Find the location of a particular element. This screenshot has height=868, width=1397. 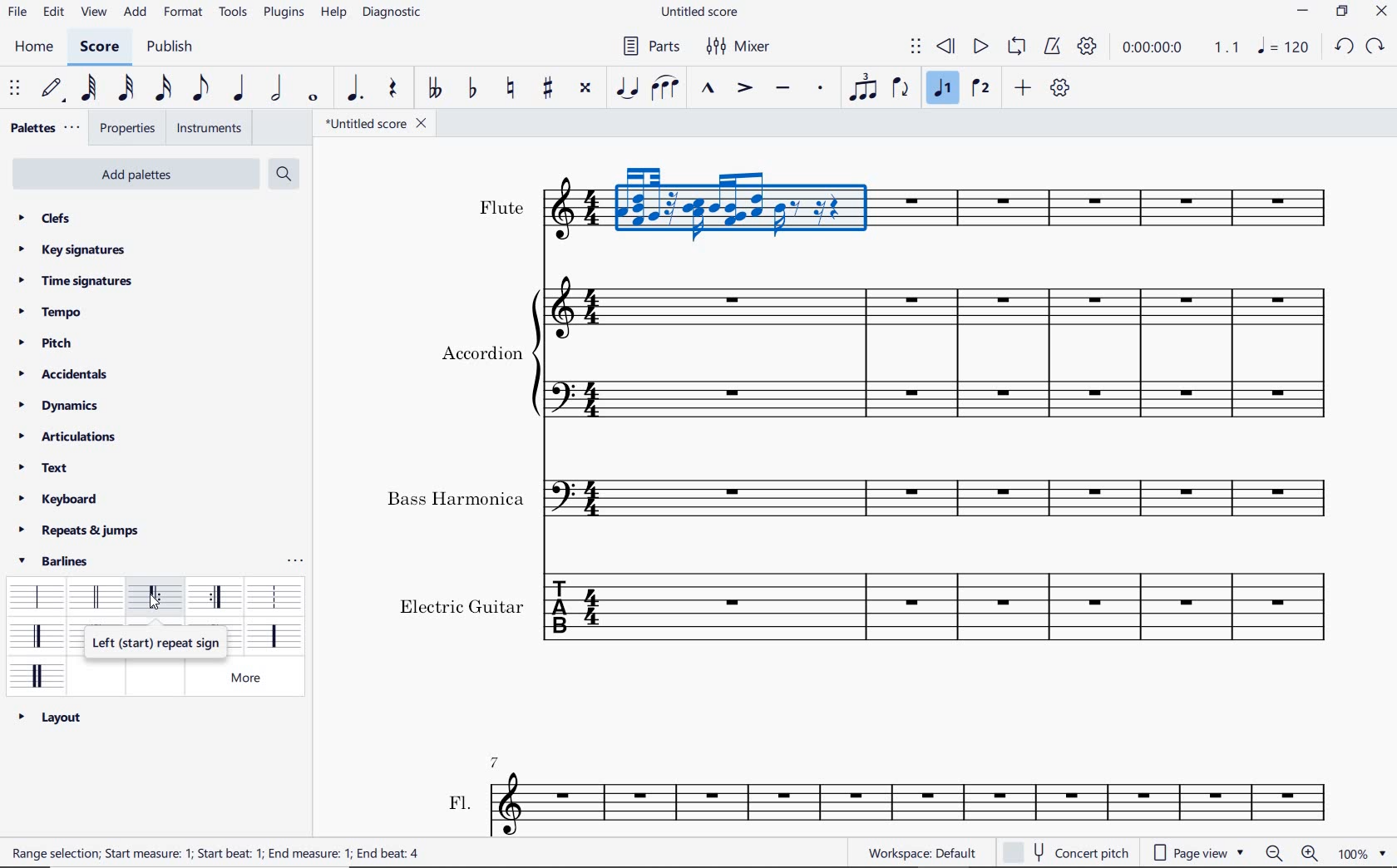

text is located at coordinates (456, 499).